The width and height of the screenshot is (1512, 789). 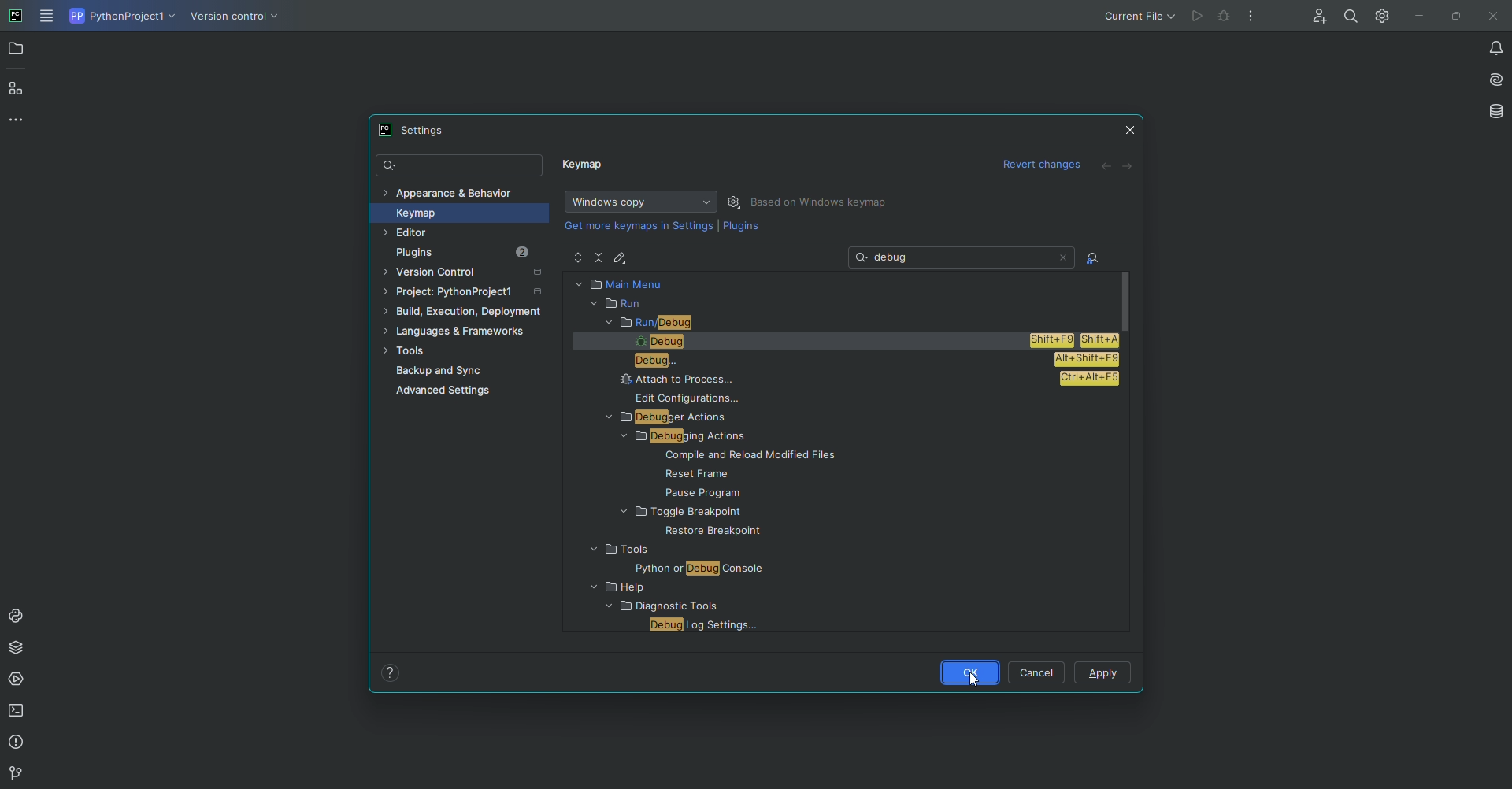 What do you see at coordinates (1415, 16) in the screenshot?
I see `Minimize` at bounding box center [1415, 16].